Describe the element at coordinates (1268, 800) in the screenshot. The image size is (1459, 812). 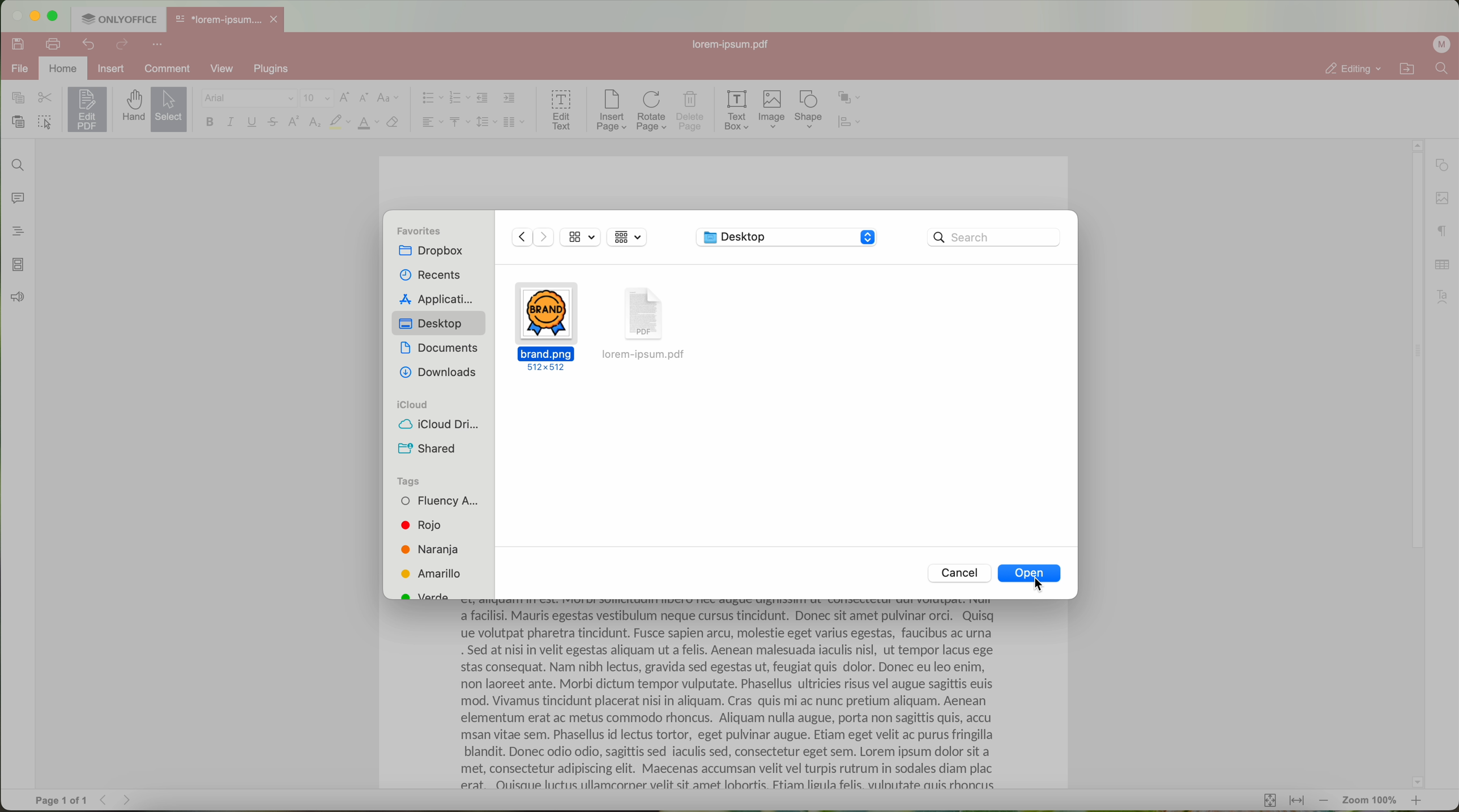
I see `fit to page` at that location.